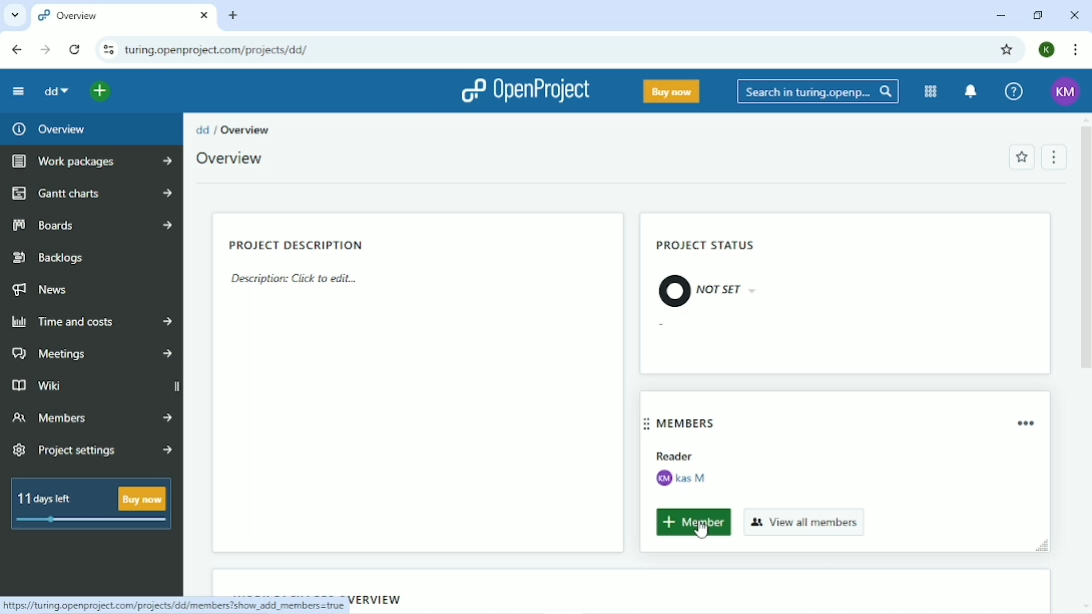 The width and height of the screenshot is (1092, 614). Describe the element at coordinates (703, 244) in the screenshot. I see `Project status` at that location.